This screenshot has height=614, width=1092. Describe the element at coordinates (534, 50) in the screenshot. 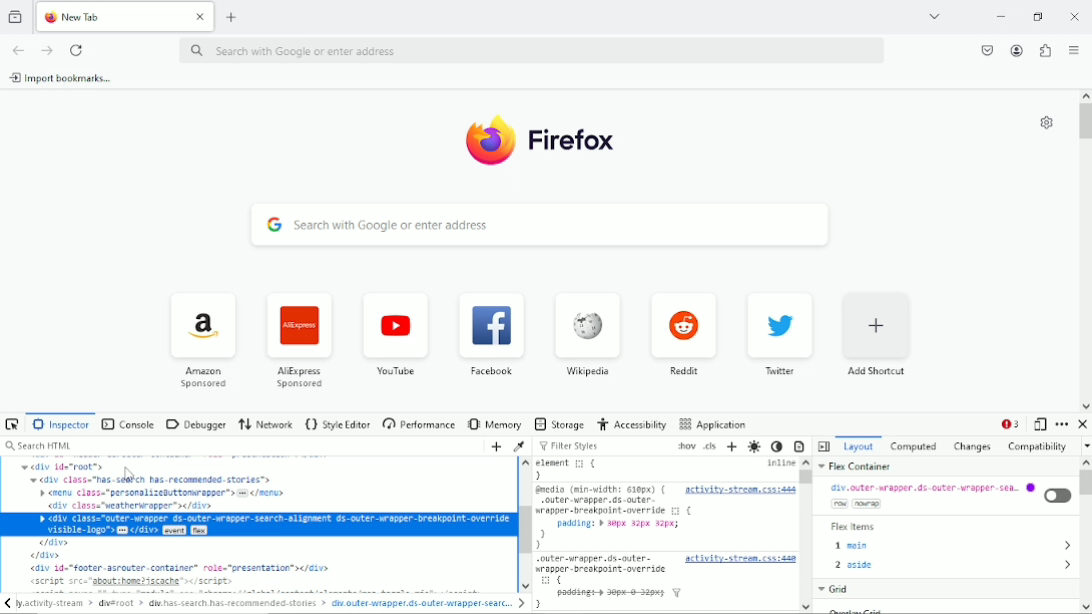

I see `Search with google or enter address` at that location.